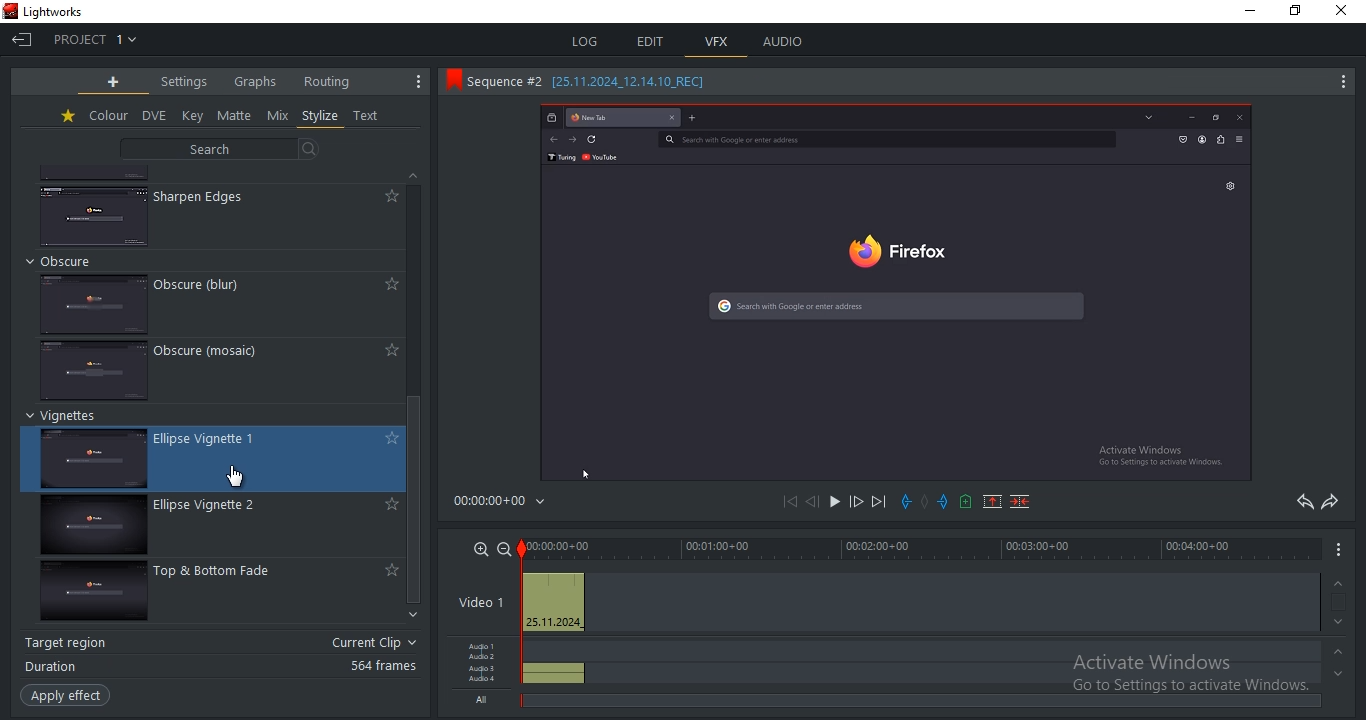  What do you see at coordinates (419, 502) in the screenshot?
I see `scroll bar` at bounding box center [419, 502].